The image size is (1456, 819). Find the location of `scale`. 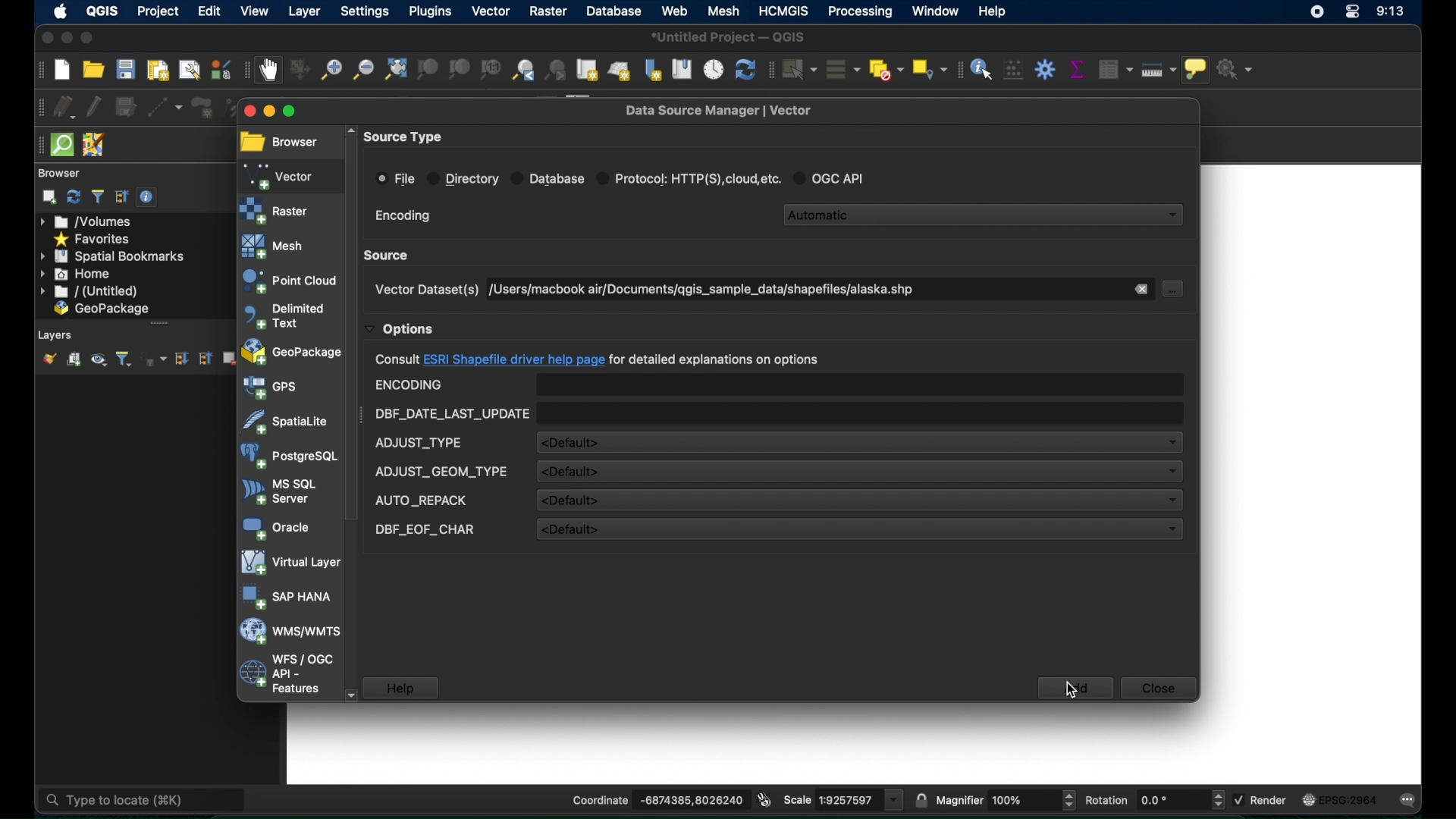

scale is located at coordinates (843, 799).